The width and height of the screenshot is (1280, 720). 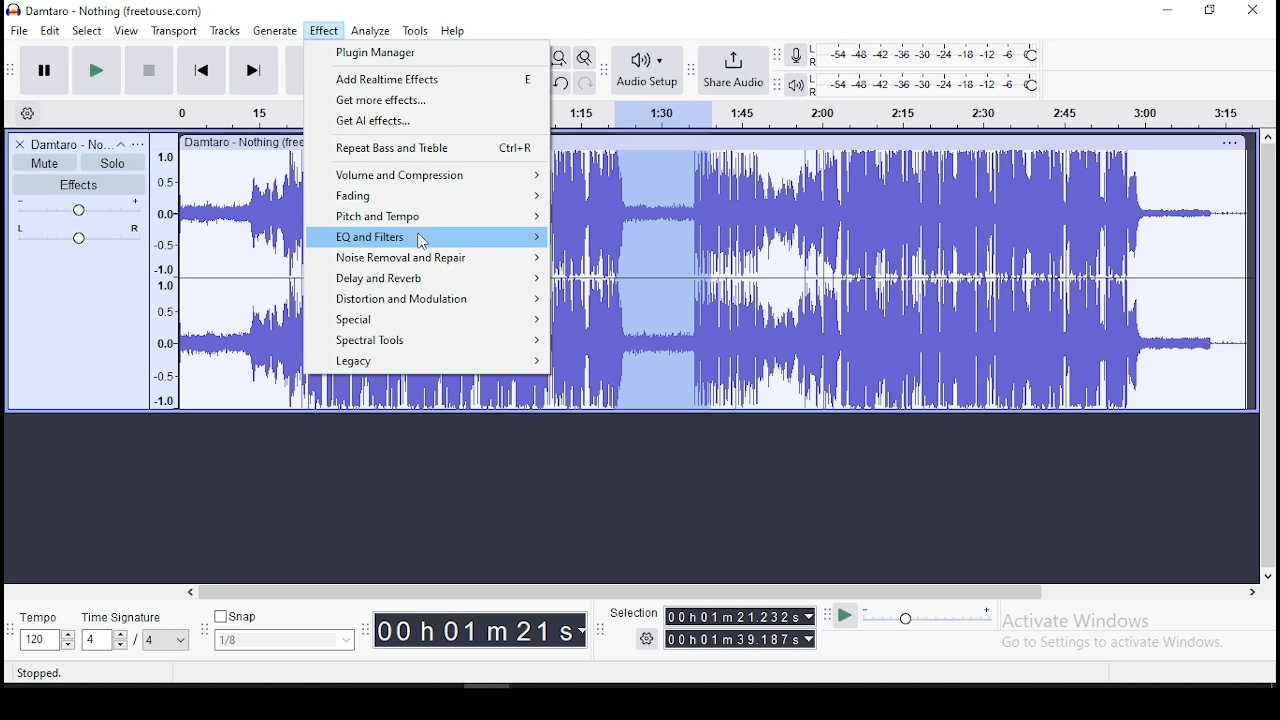 I want to click on effect, so click(x=323, y=32).